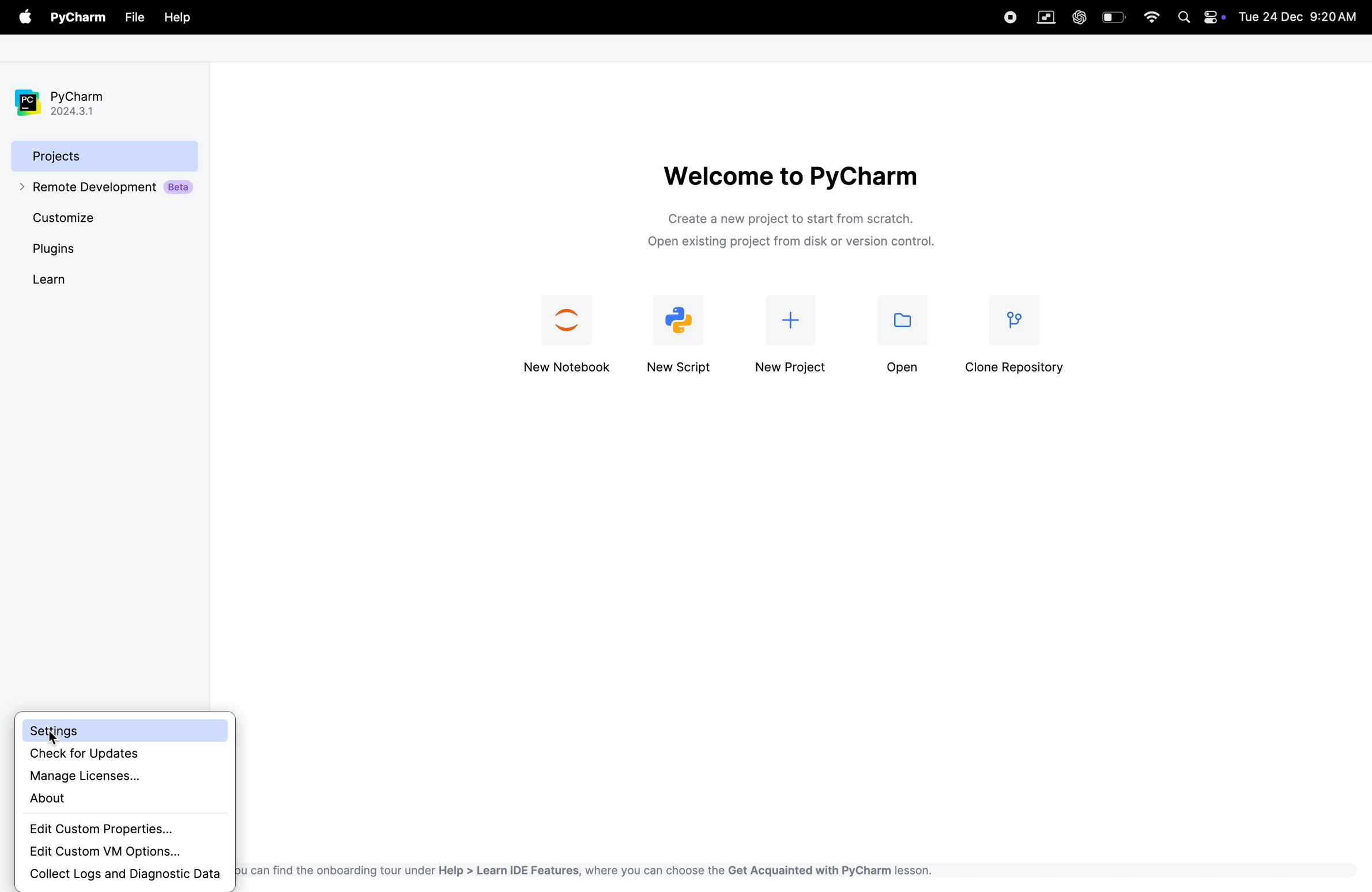 The height and width of the screenshot is (892, 1372). I want to click on help, so click(177, 18).